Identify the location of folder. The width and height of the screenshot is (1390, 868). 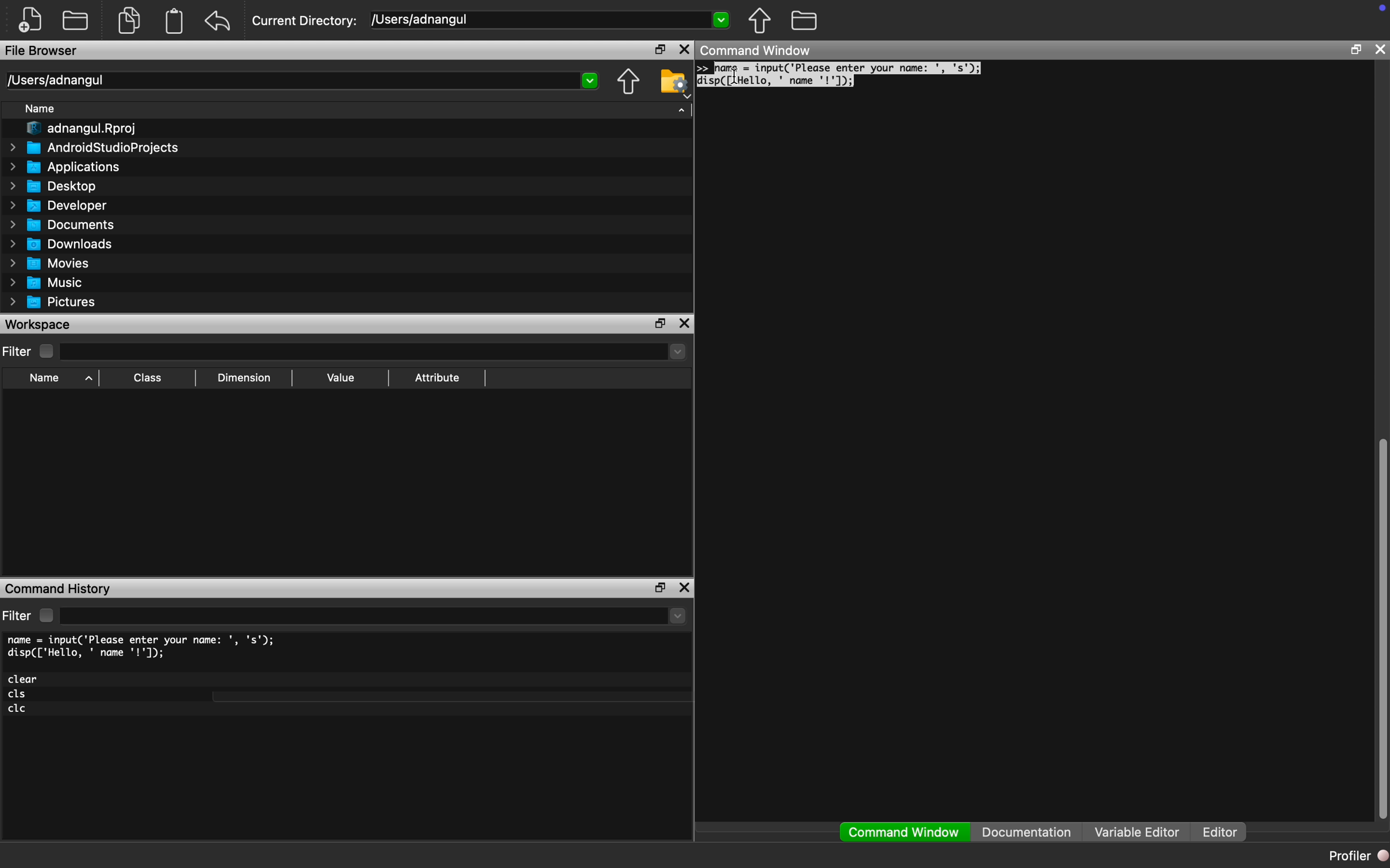
(805, 20).